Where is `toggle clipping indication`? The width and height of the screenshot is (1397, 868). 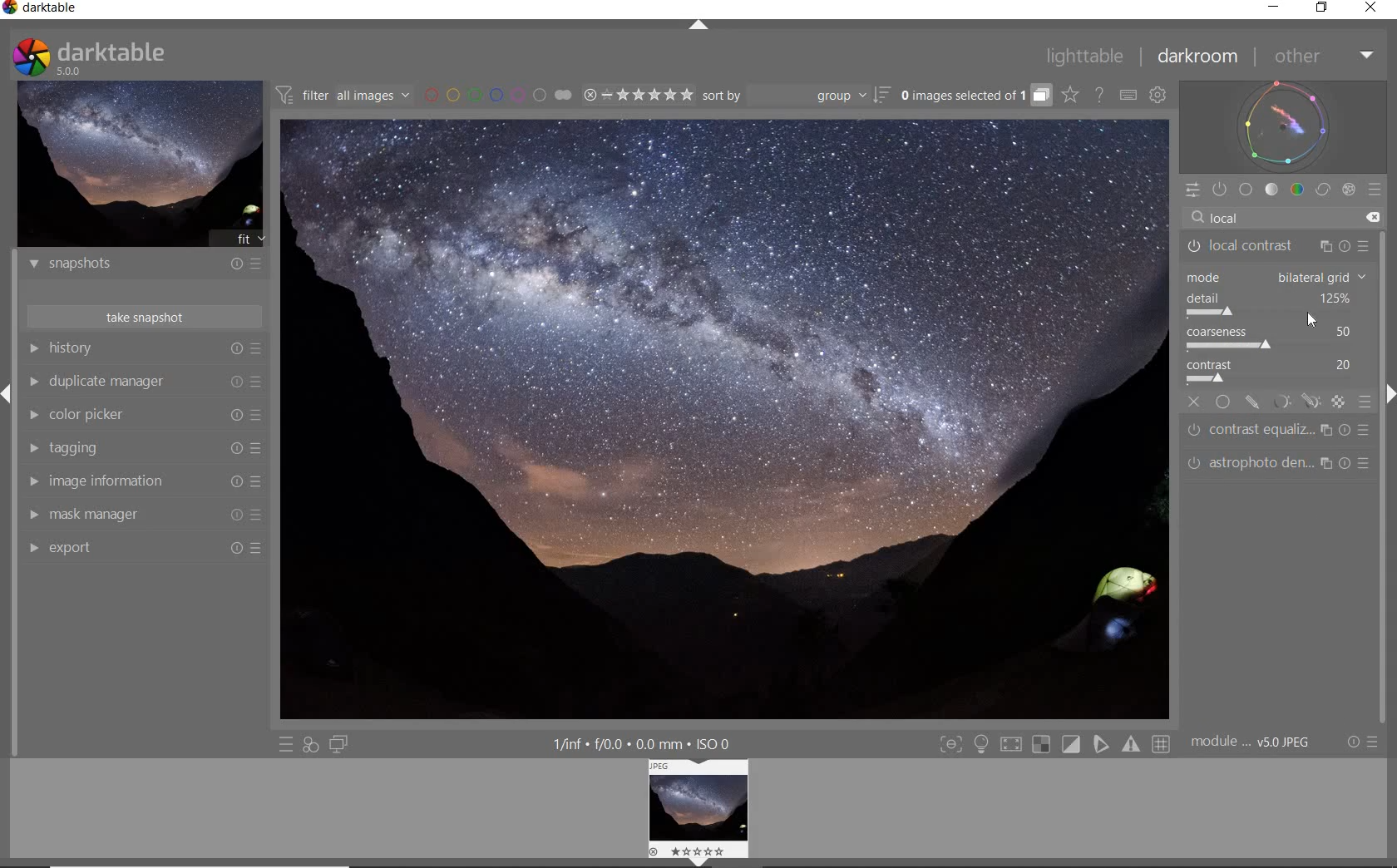
toggle clipping indication is located at coordinates (1074, 747).